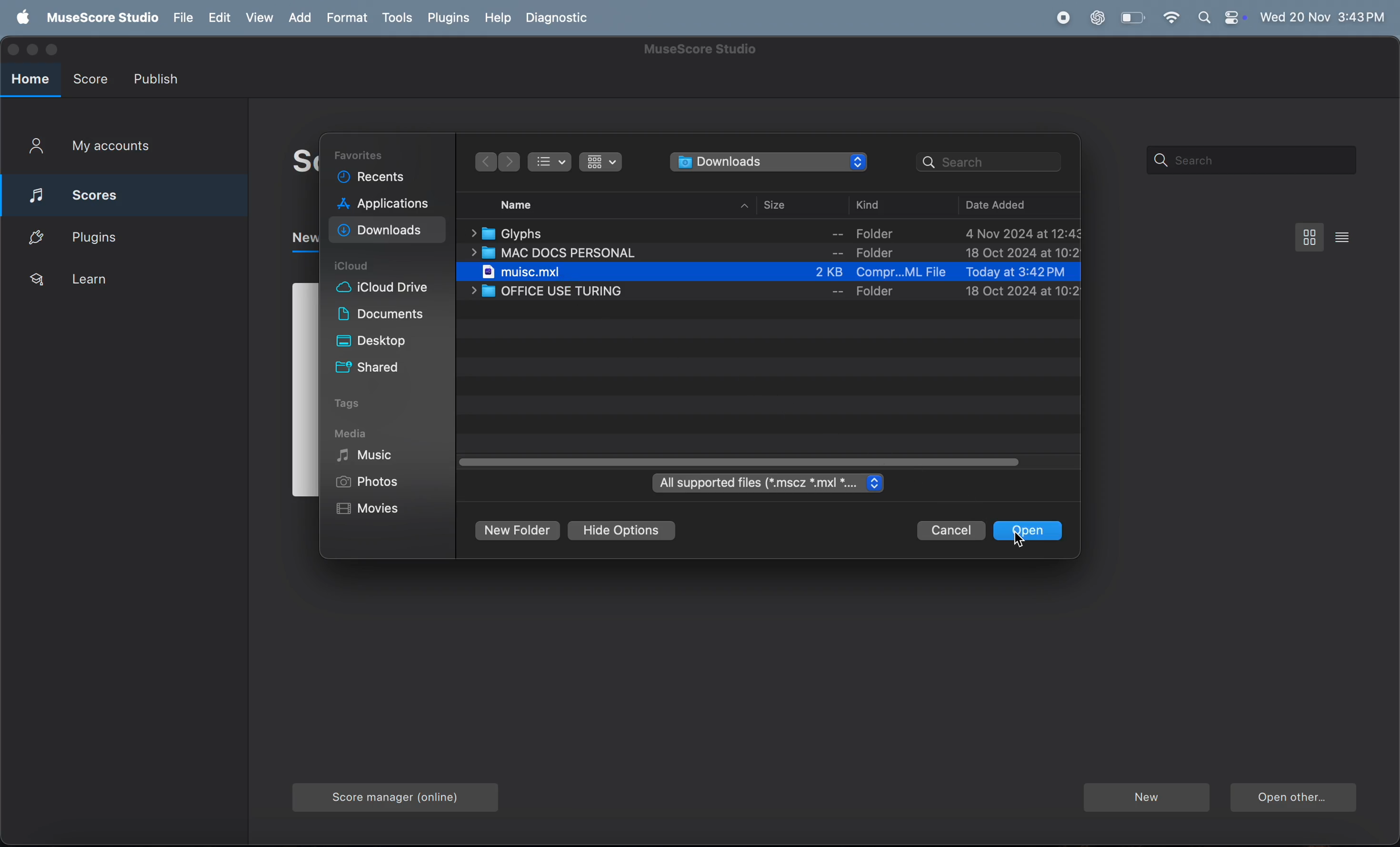 The height and width of the screenshot is (847, 1400). I want to click on my account, so click(111, 150).